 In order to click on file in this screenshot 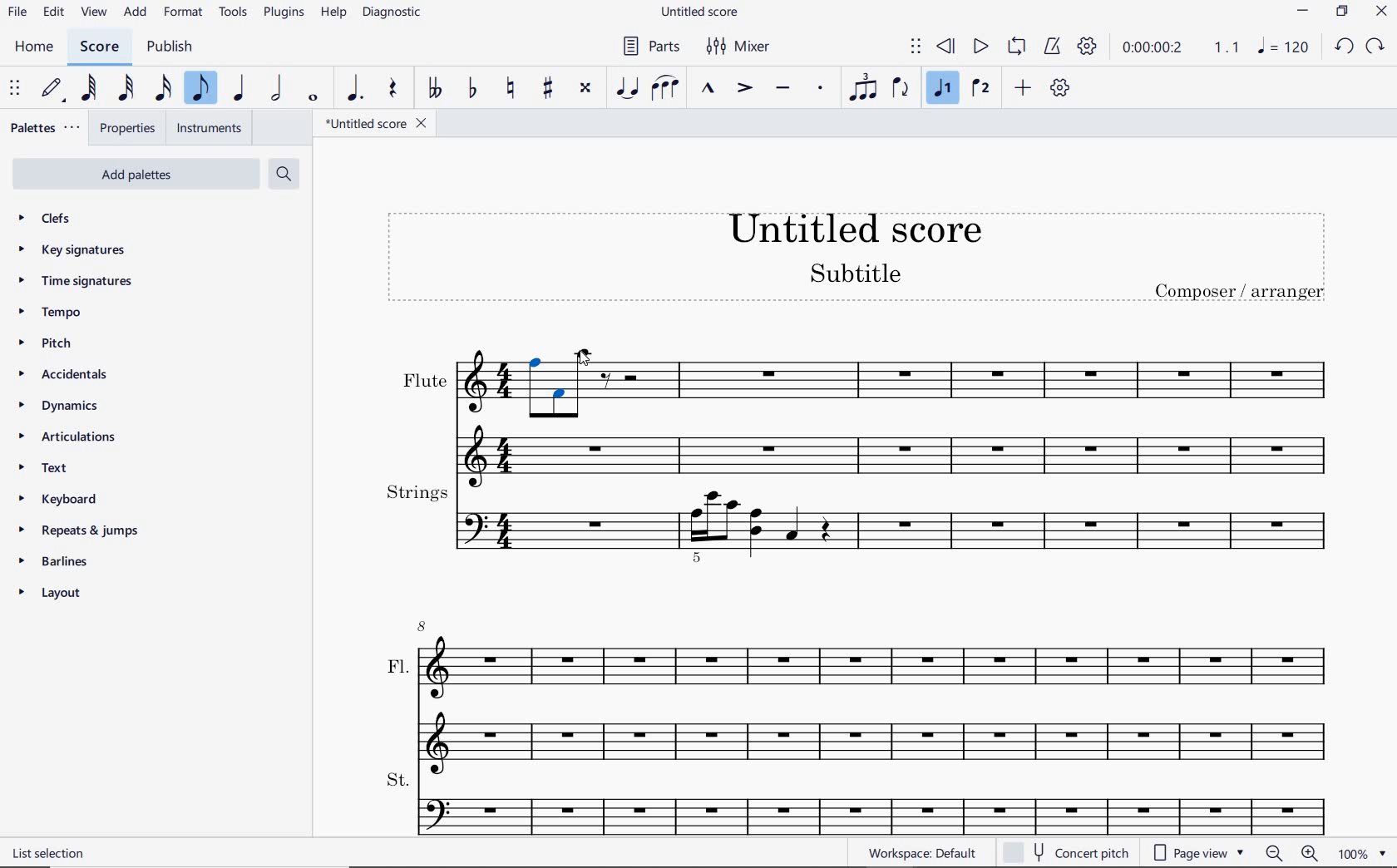, I will do `click(16, 13)`.